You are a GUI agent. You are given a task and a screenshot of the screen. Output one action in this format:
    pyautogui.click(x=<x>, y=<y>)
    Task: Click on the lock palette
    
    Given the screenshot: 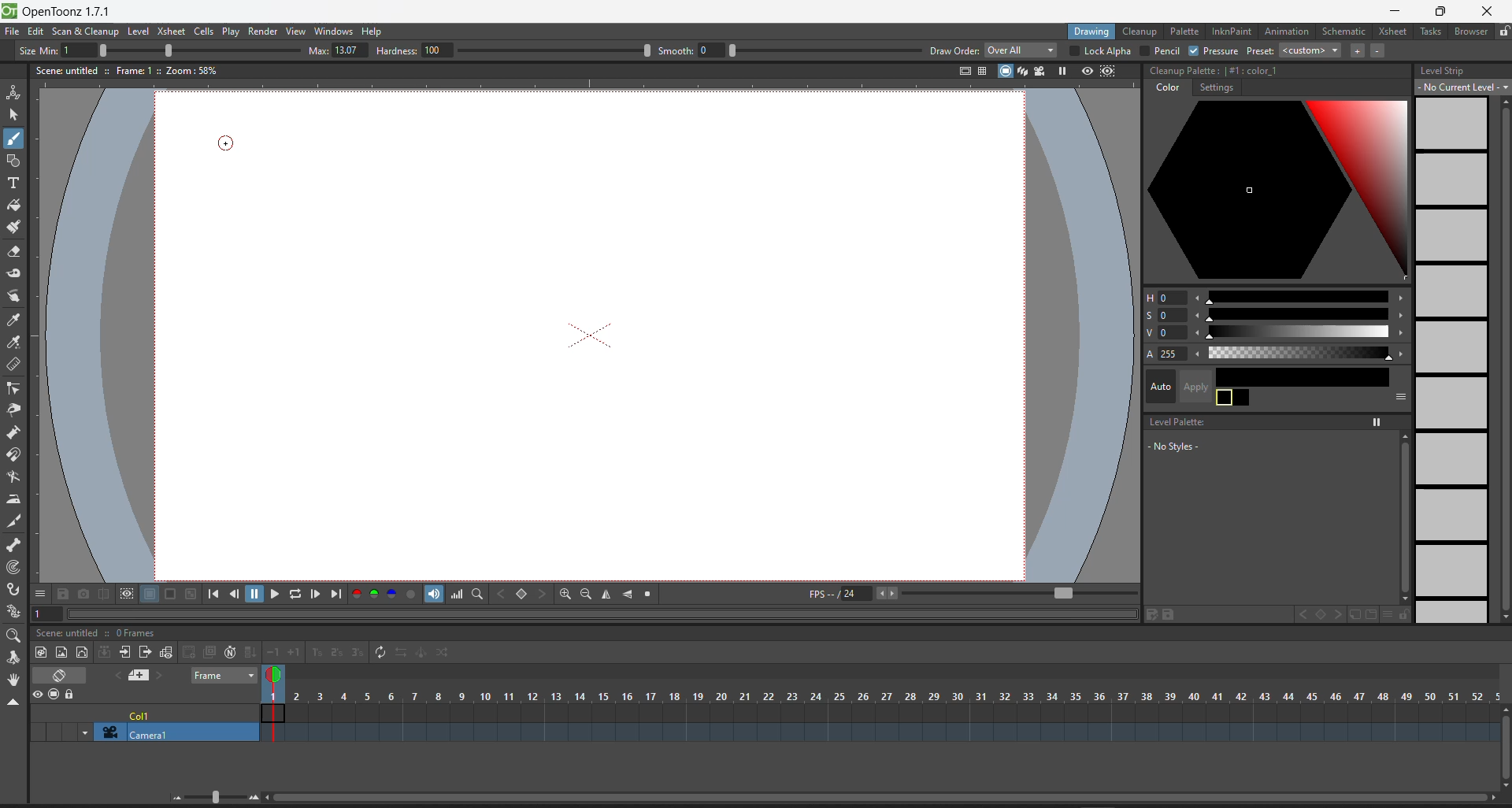 What is the action you would take?
    pyautogui.click(x=1408, y=614)
    